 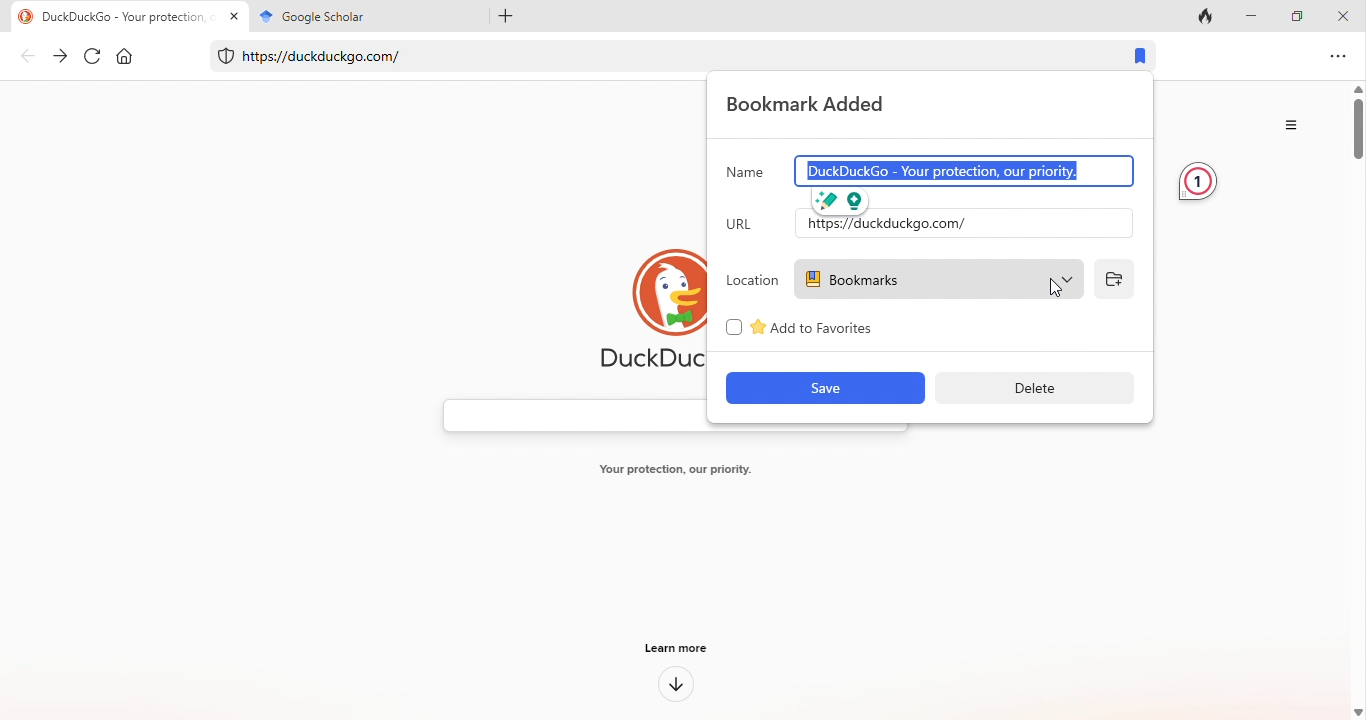 What do you see at coordinates (28, 58) in the screenshot?
I see `back` at bounding box center [28, 58].